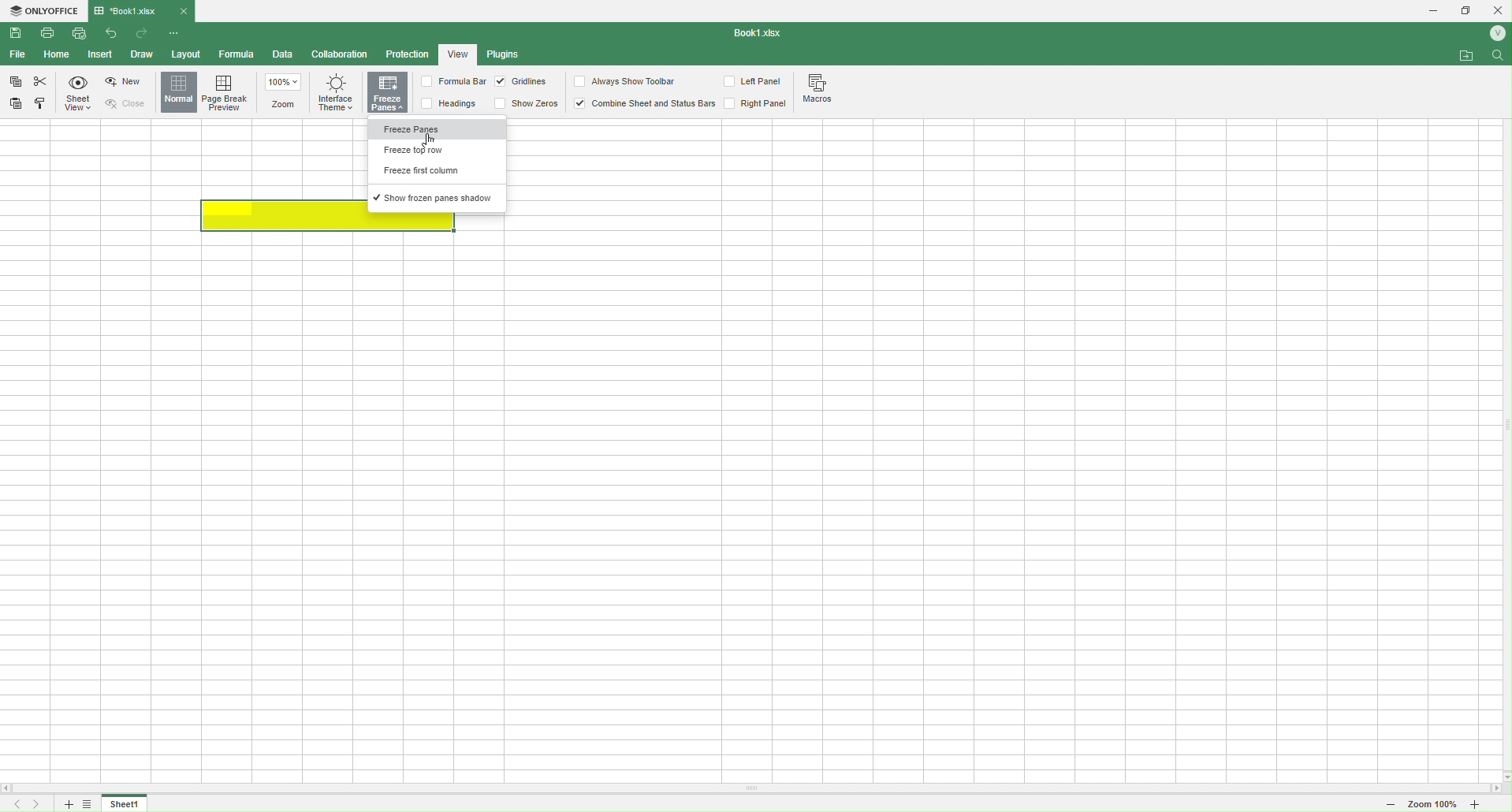 The width and height of the screenshot is (1512, 812). What do you see at coordinates (283, 56) in the screenshot?
I see `Data` at bounding box center [283, 56].